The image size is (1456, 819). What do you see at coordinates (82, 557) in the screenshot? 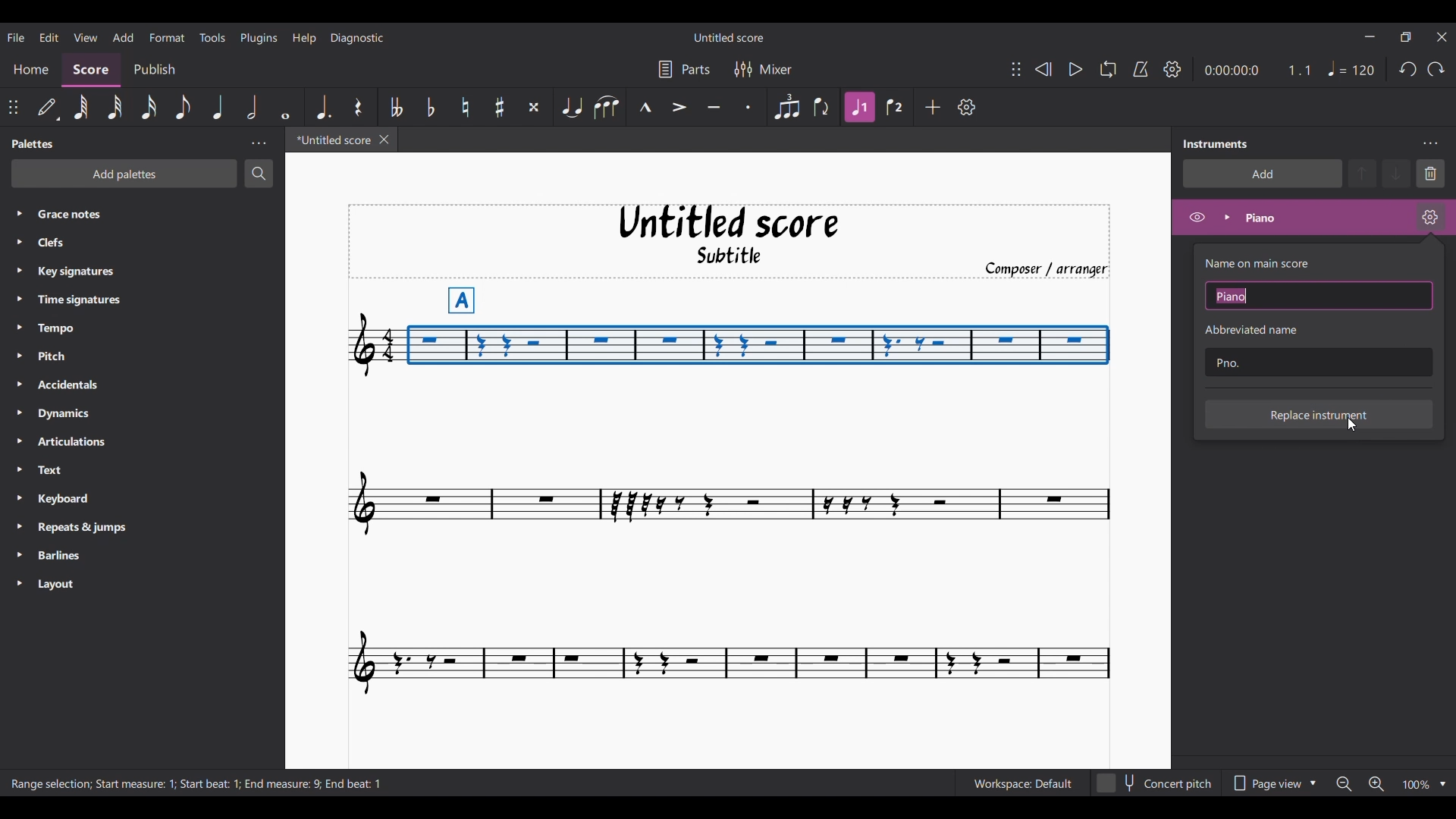
I see `Barlines` at bounding box center [82, 557].